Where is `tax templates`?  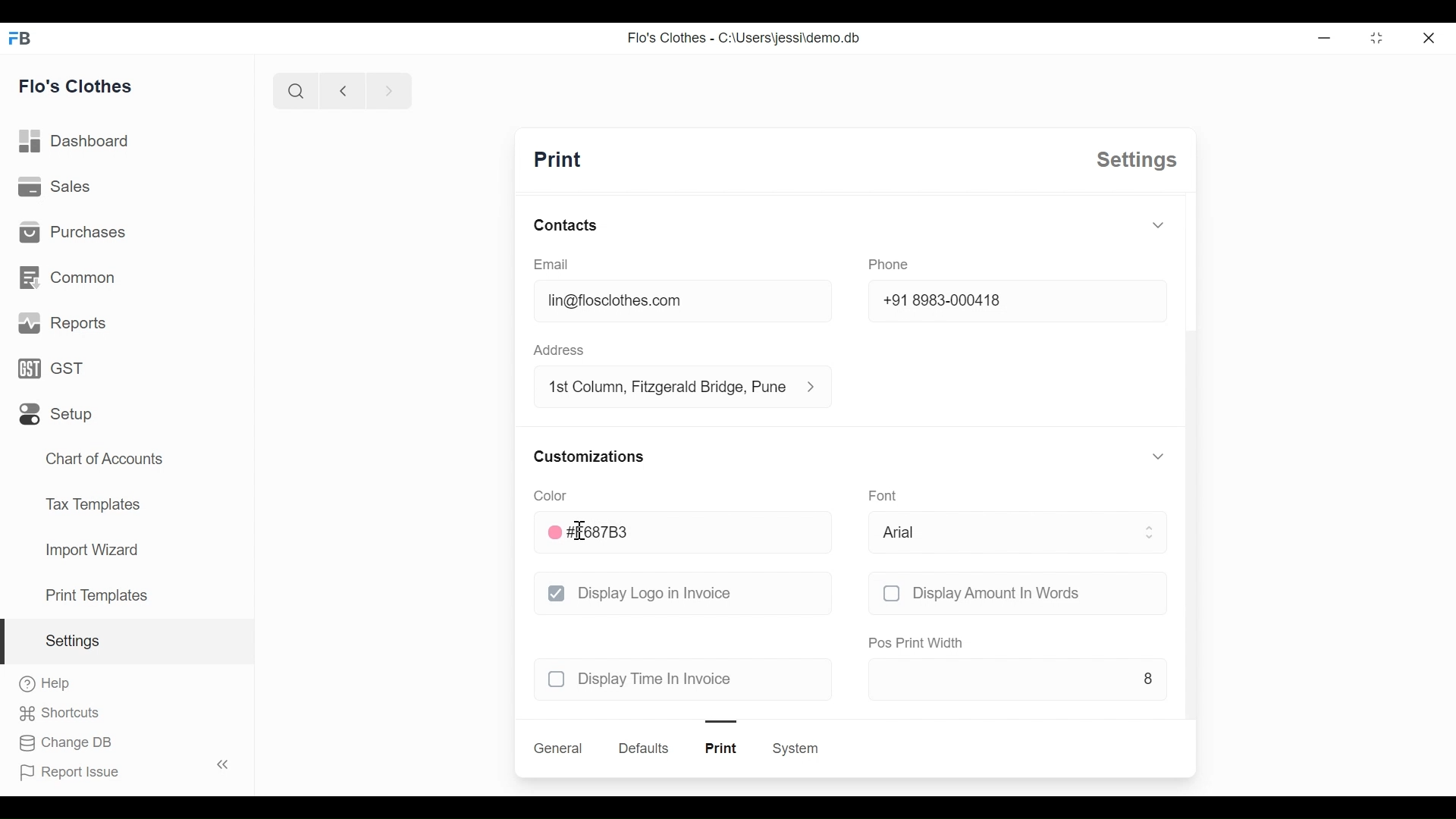 tax templates is located at coordinates (90, 503).